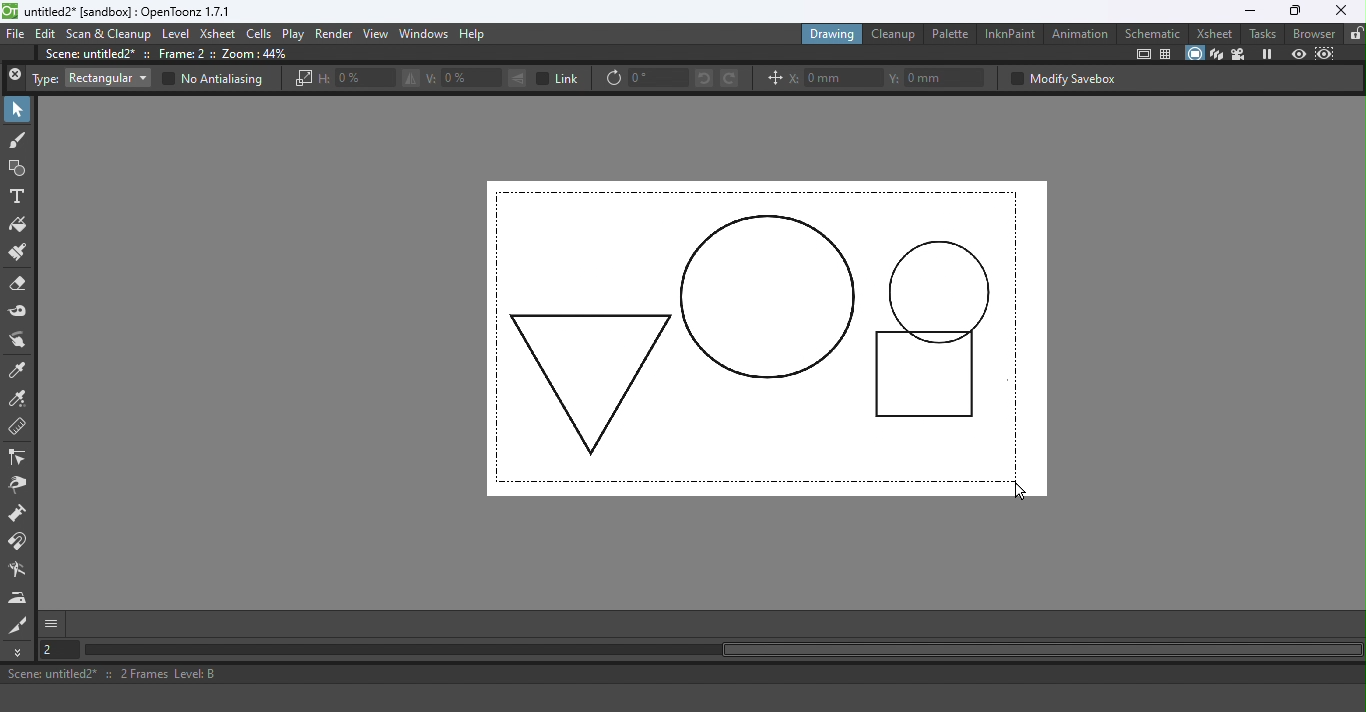 The height and width of the screenshot is (712, 1366). I want to click on Render, so click(335, 33).